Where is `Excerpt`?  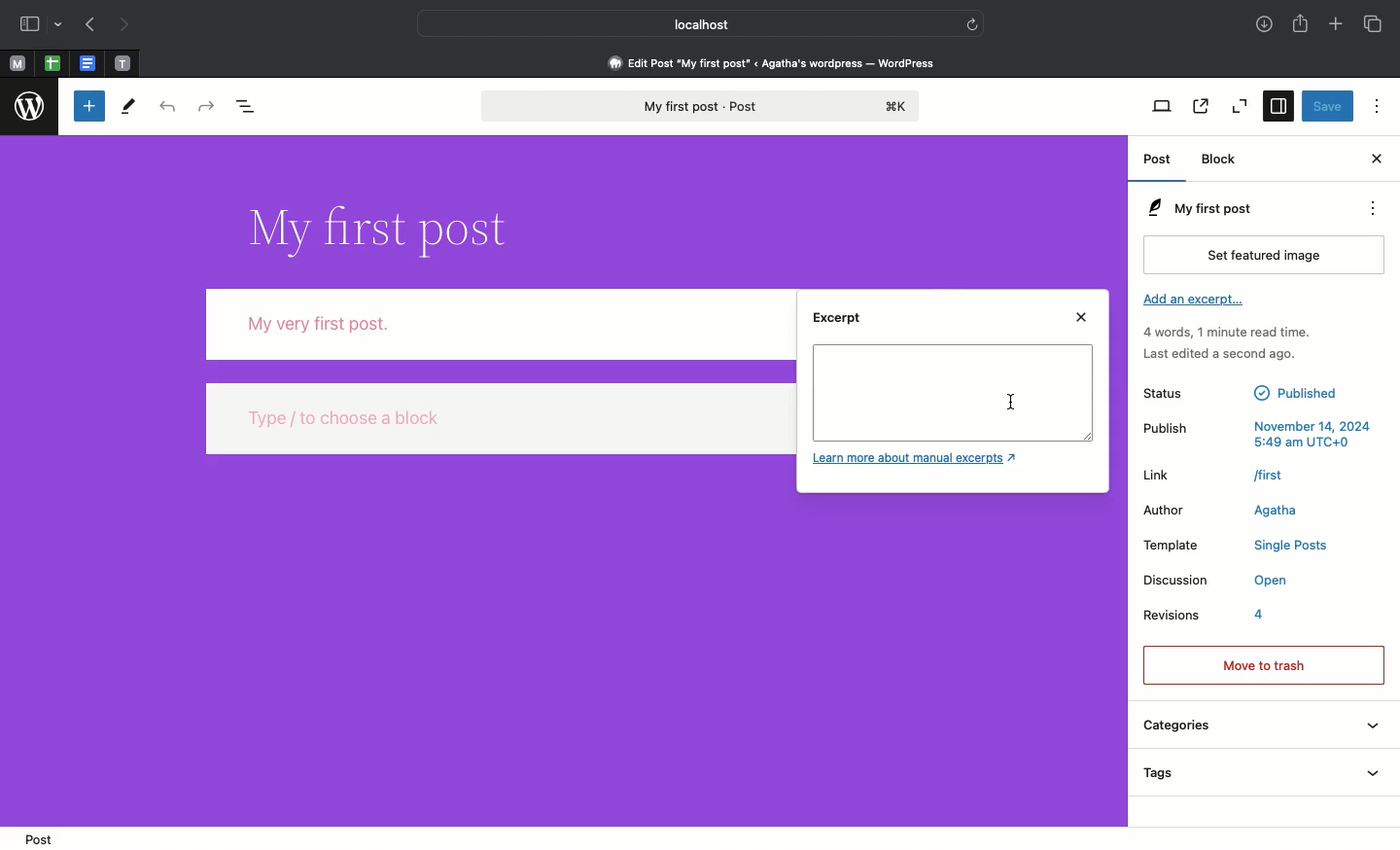
Excerpt is located at coordinates (842, 324).